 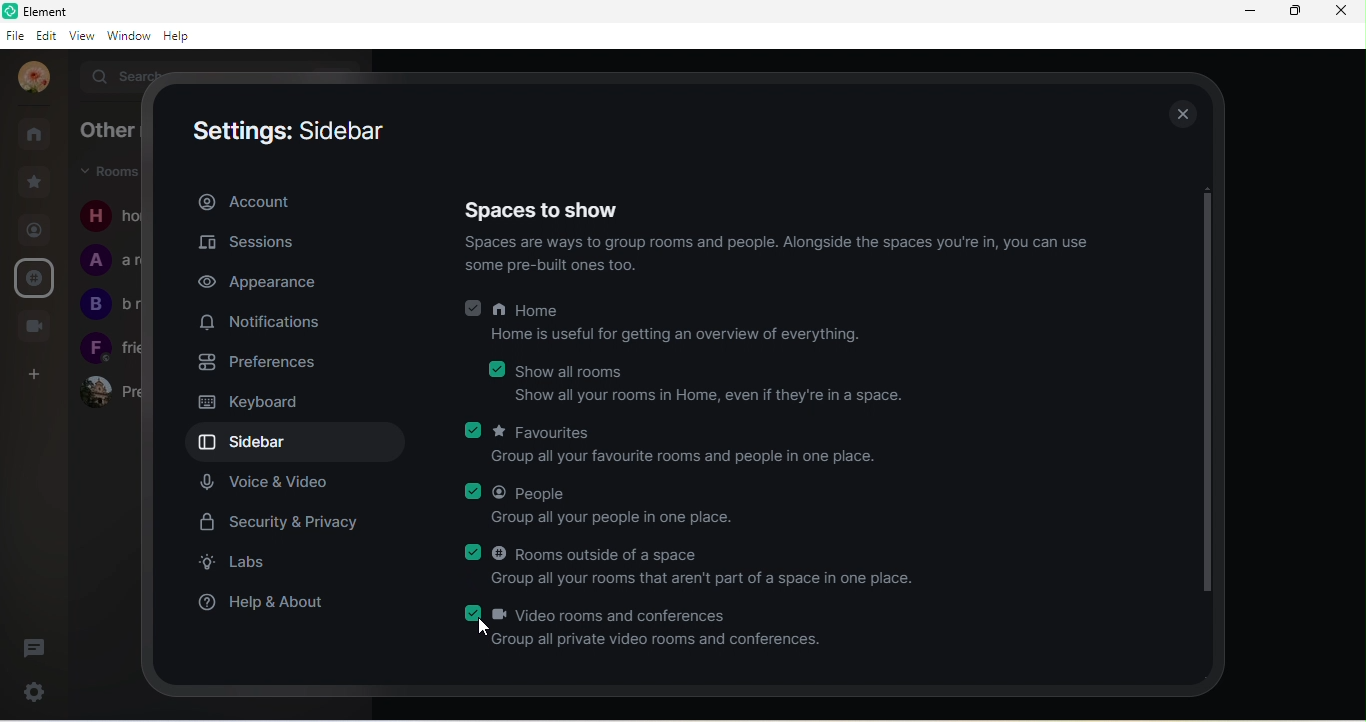 What do you see at coordinates (35, 277) in the screenshot?
I see `public room` at bounding box center [35, 277].